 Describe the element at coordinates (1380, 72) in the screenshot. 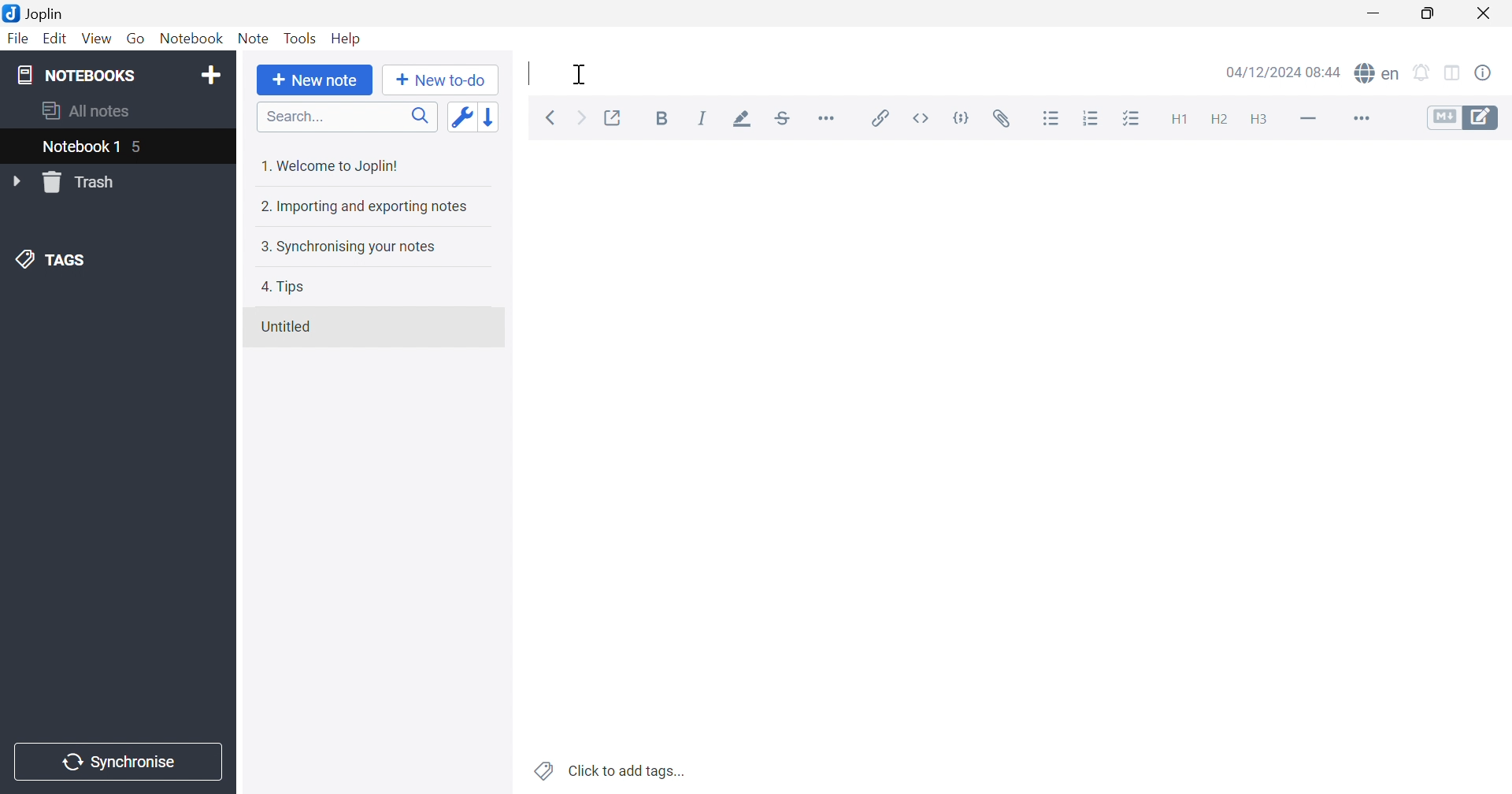

I see `Spell checker` at that location.